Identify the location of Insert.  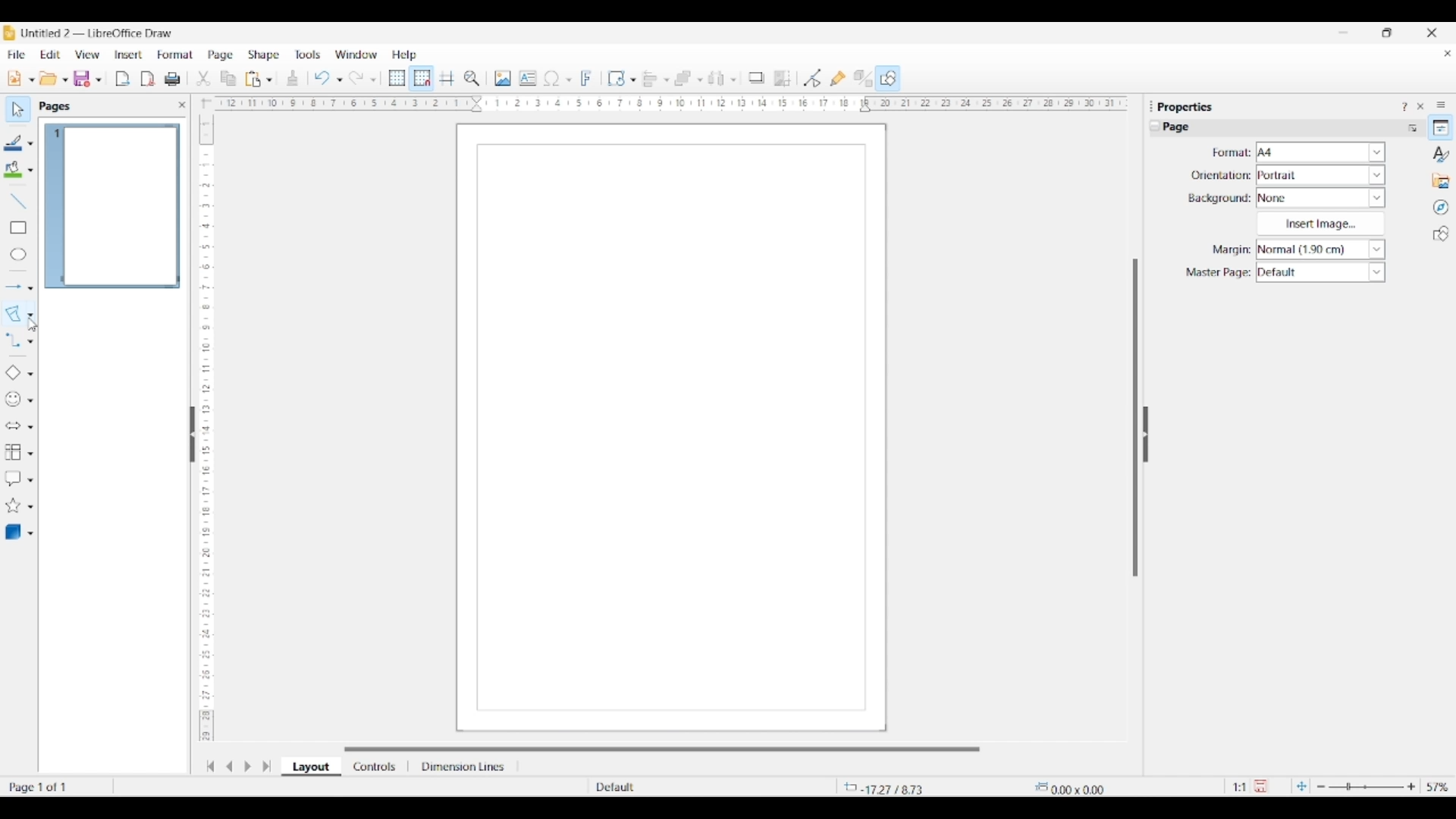
(129, 55).